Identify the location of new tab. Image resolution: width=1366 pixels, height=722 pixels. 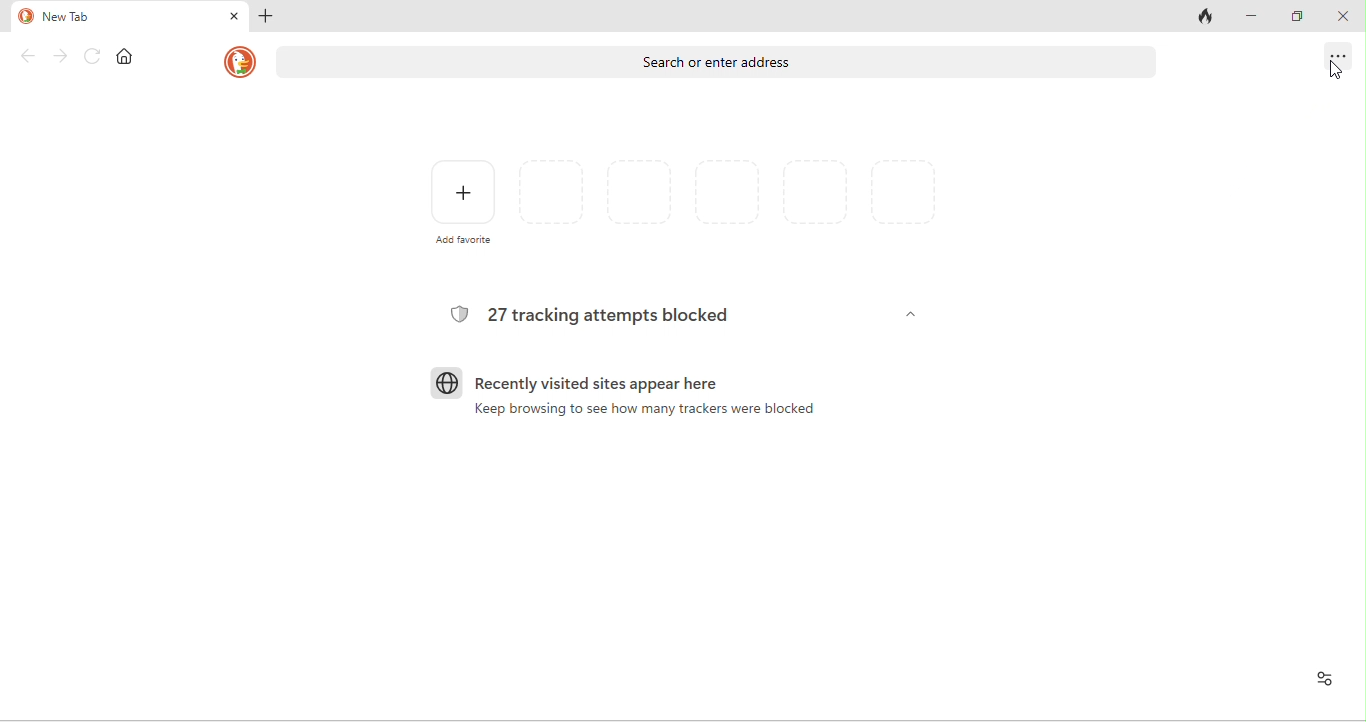
(98, 18).